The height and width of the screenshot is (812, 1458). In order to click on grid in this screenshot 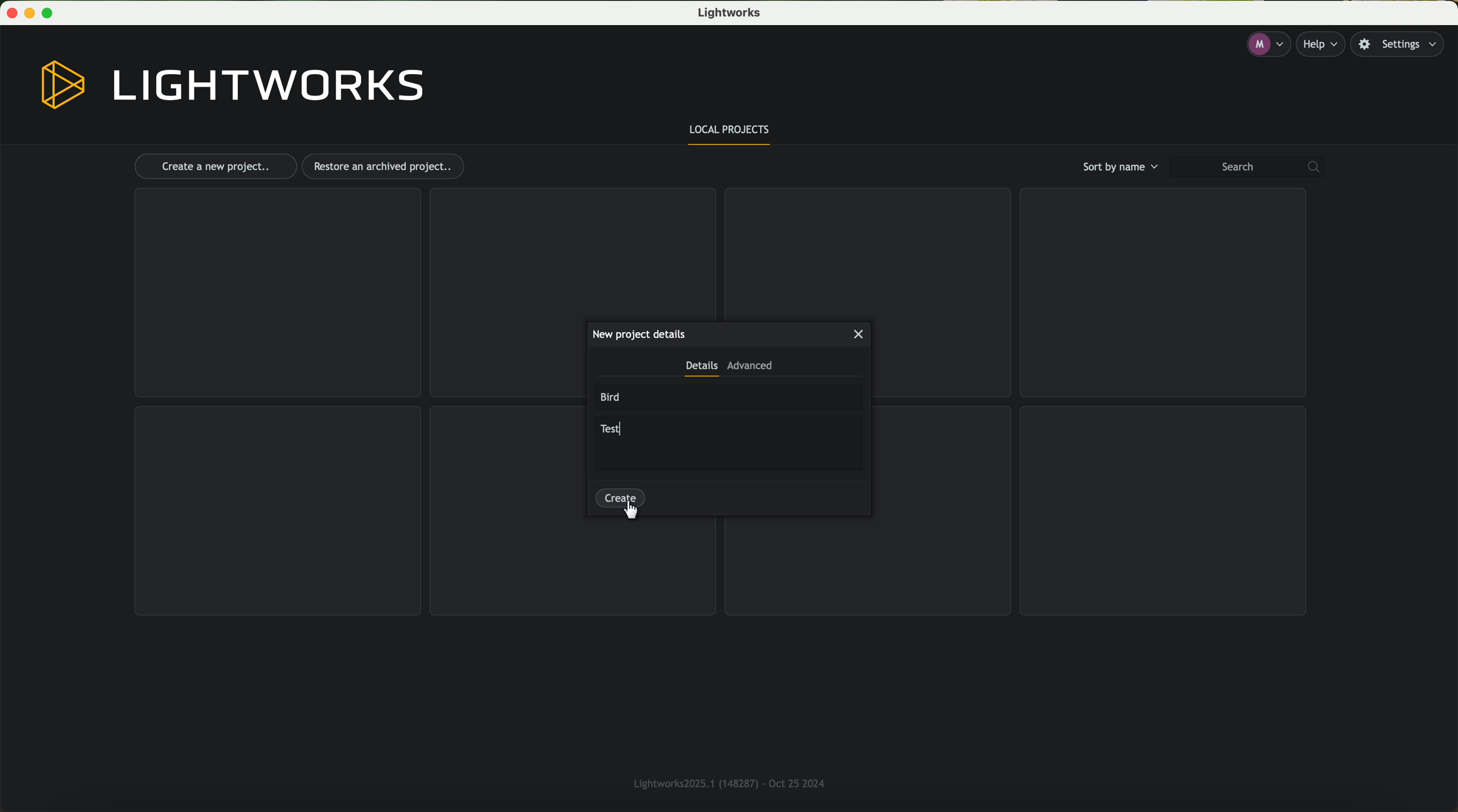, I will do `click(870, 564)`.